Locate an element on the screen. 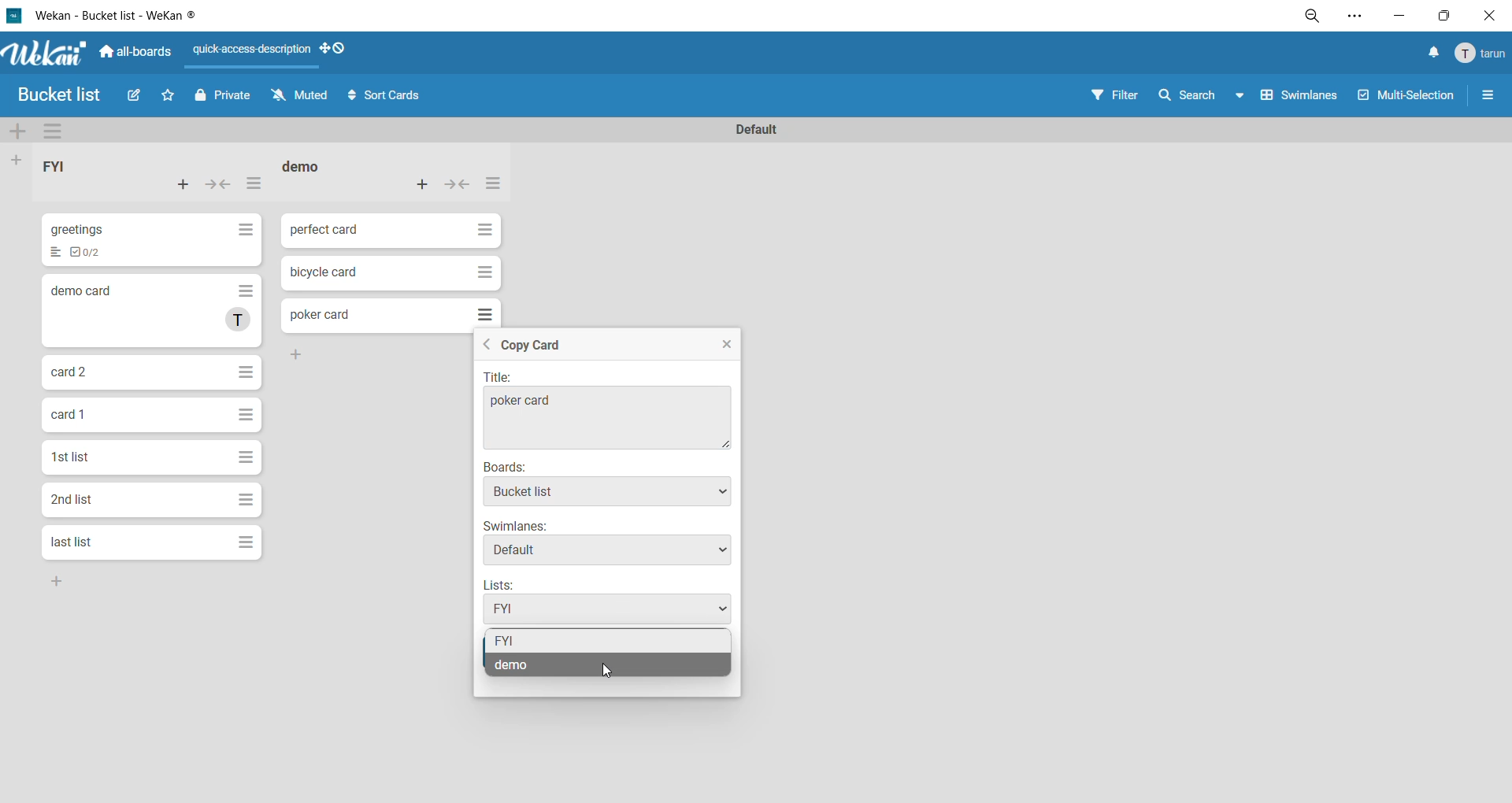  zoom is located at coordinates (1316, 18).